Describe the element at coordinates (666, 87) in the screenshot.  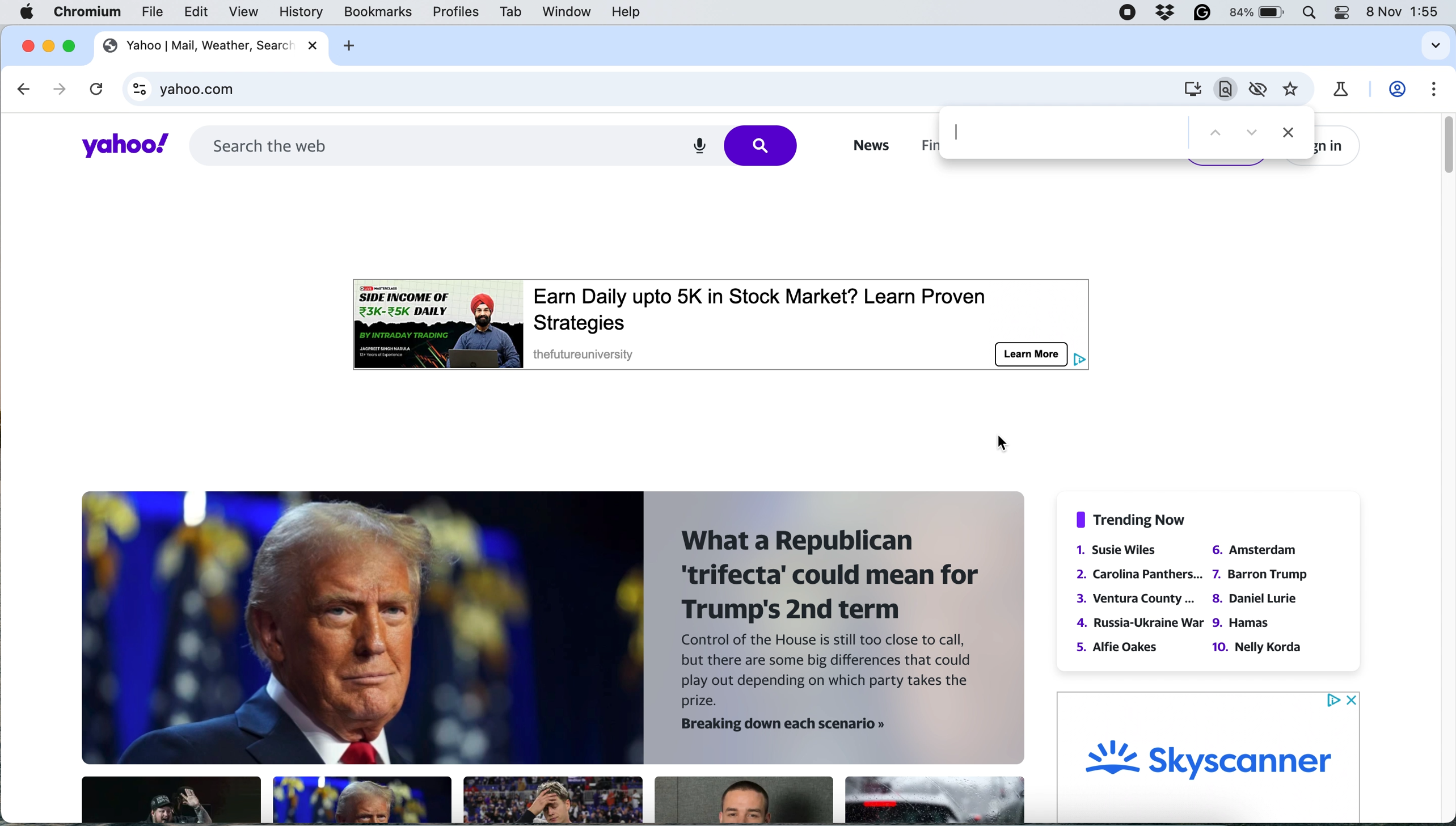
I see `yahoo.com` at that location.